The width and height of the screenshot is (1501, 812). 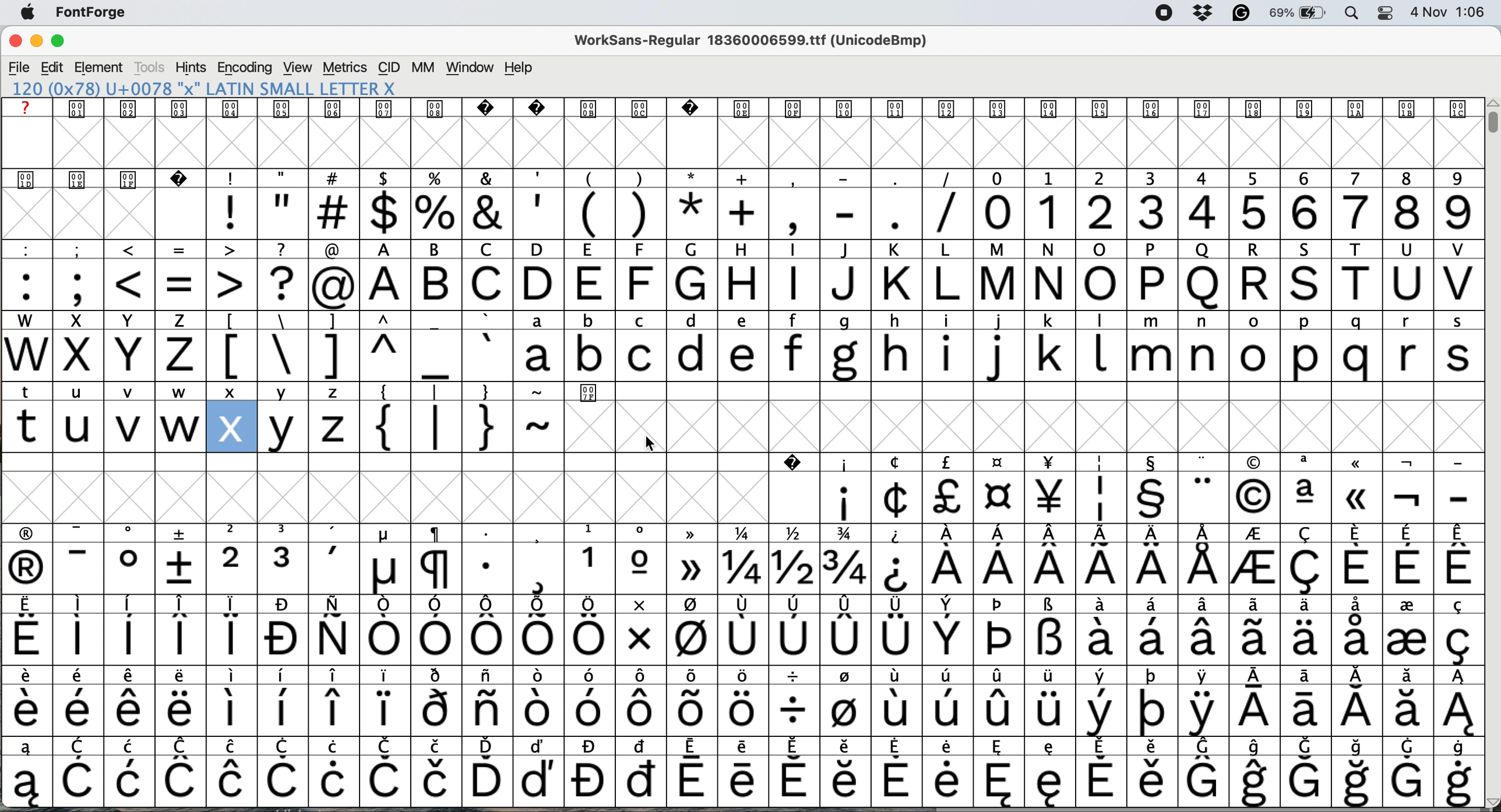 What do you see at coordinates (588, 213) in the screenshot?
I see `special characters` at bounding box center [588, 213].